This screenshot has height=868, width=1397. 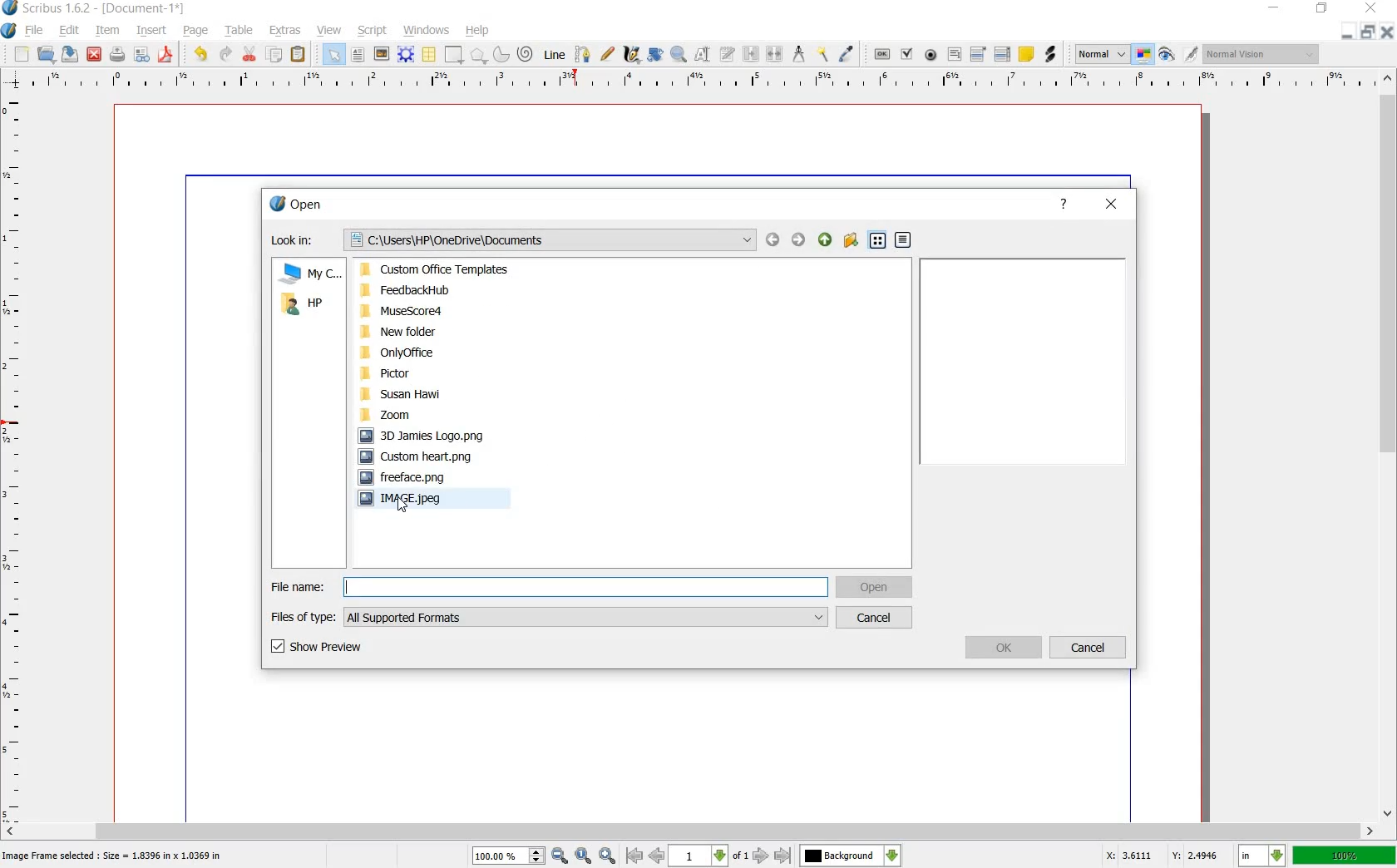 I want to click on minimize, so click(x=1345, y=32).